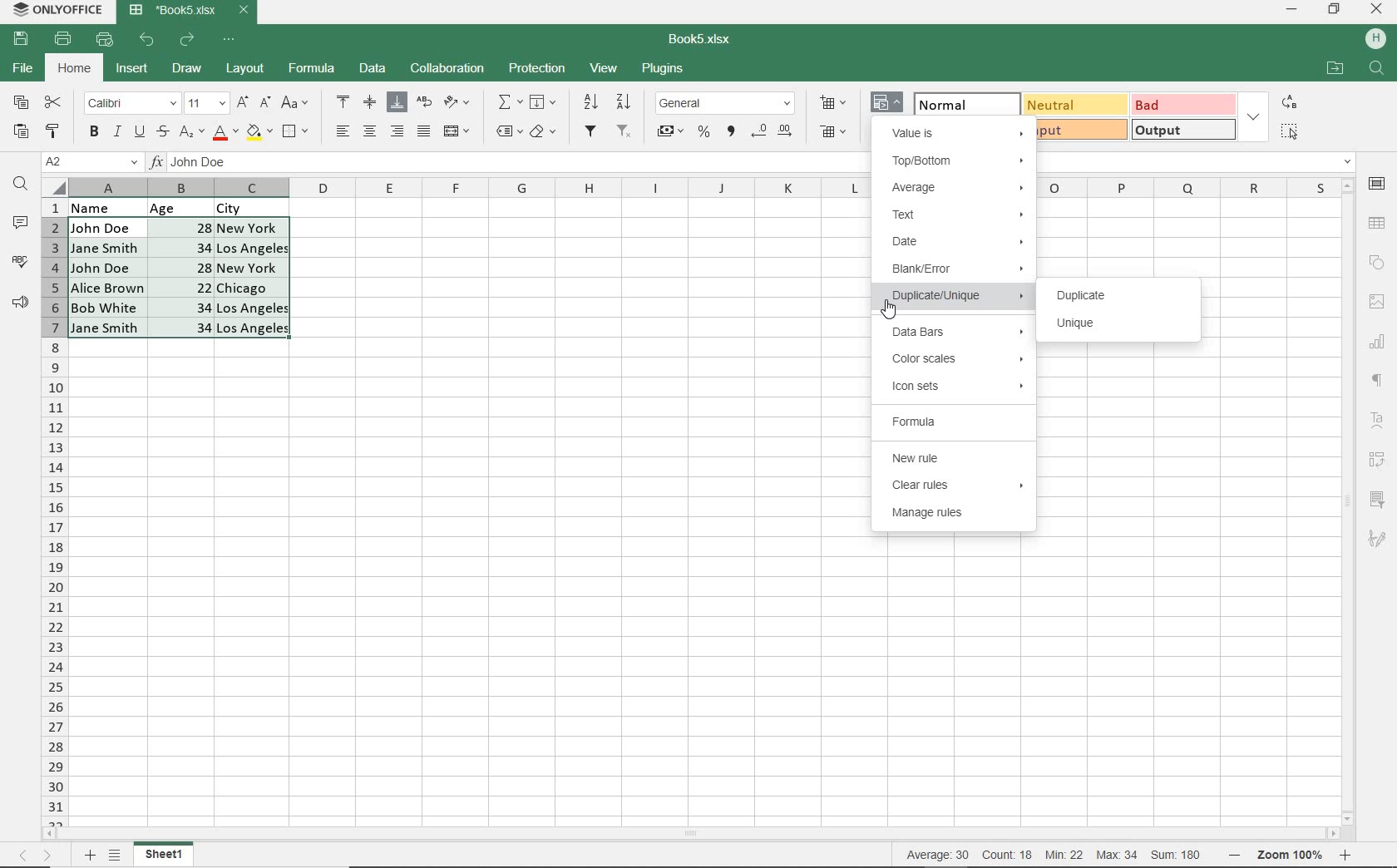 Image resolution: width=1397 pixels, height=868 pixels. Describe the element at coordinates (1116, 855) in the screenshot. I see `max` at that location.